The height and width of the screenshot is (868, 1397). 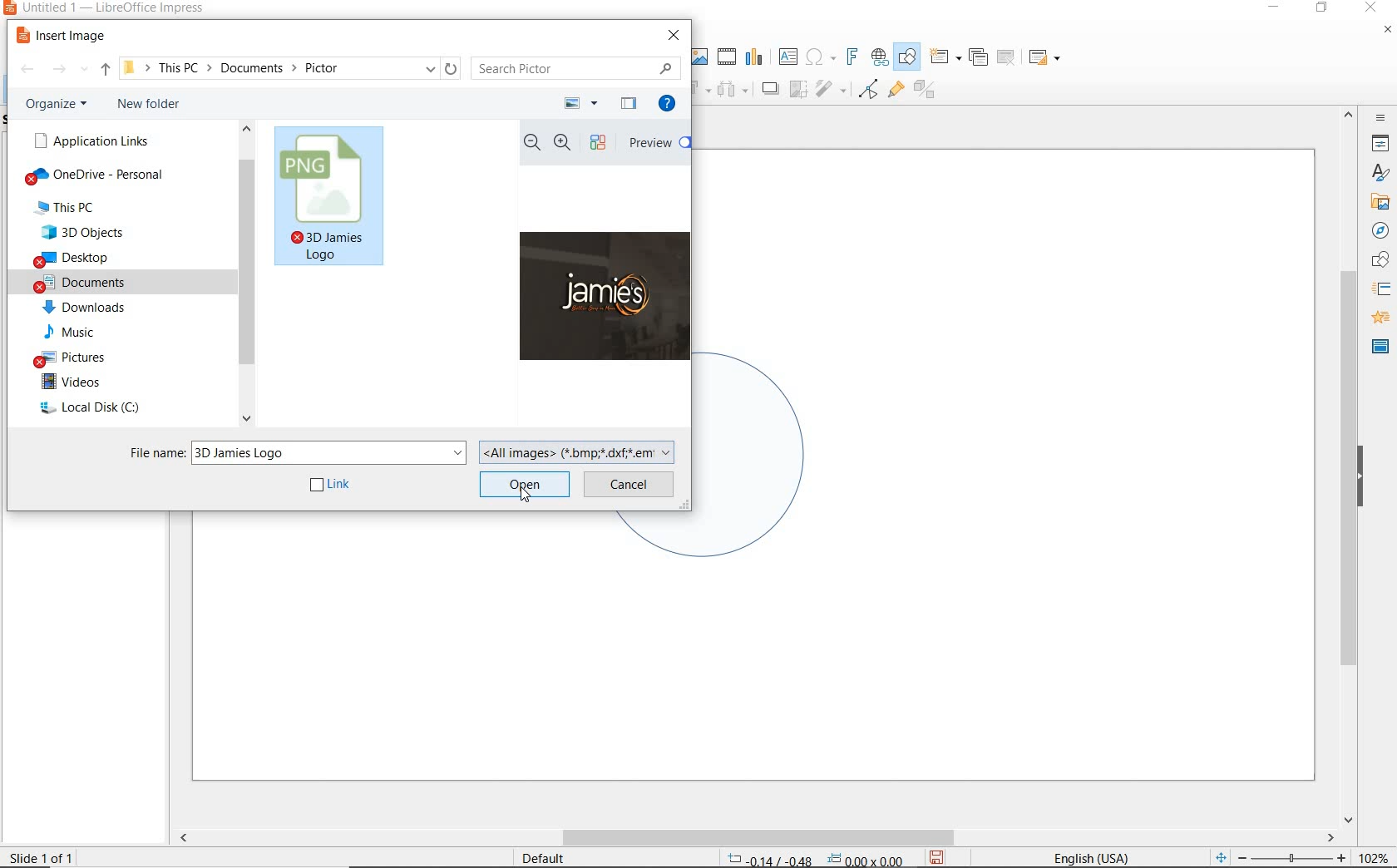 What do you see at coordinates (526, 494) in the screenshot?
I see `Cursor` at bounding box center [526, 494].